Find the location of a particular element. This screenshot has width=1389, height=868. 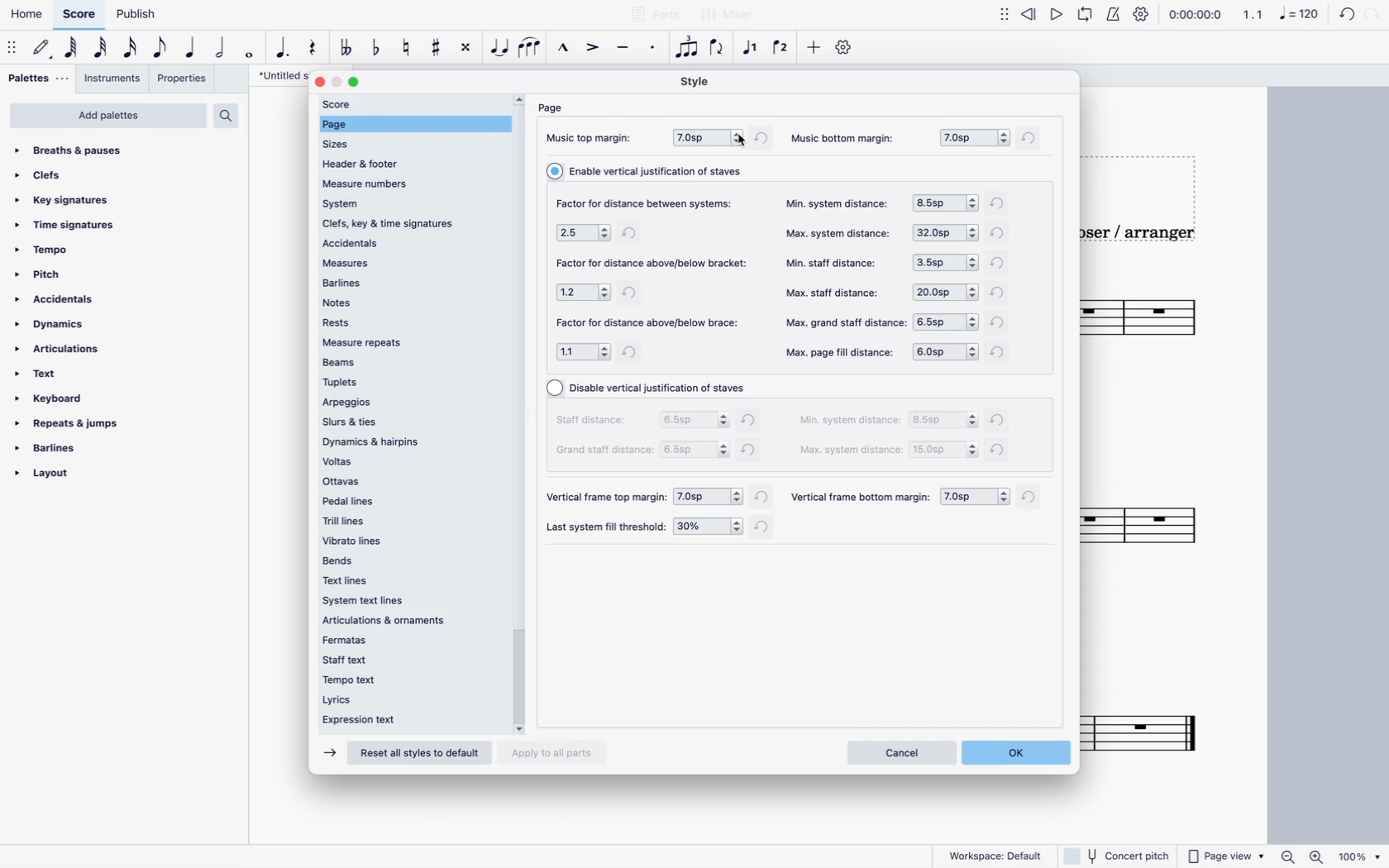

score is located at coordinates (411, 104).